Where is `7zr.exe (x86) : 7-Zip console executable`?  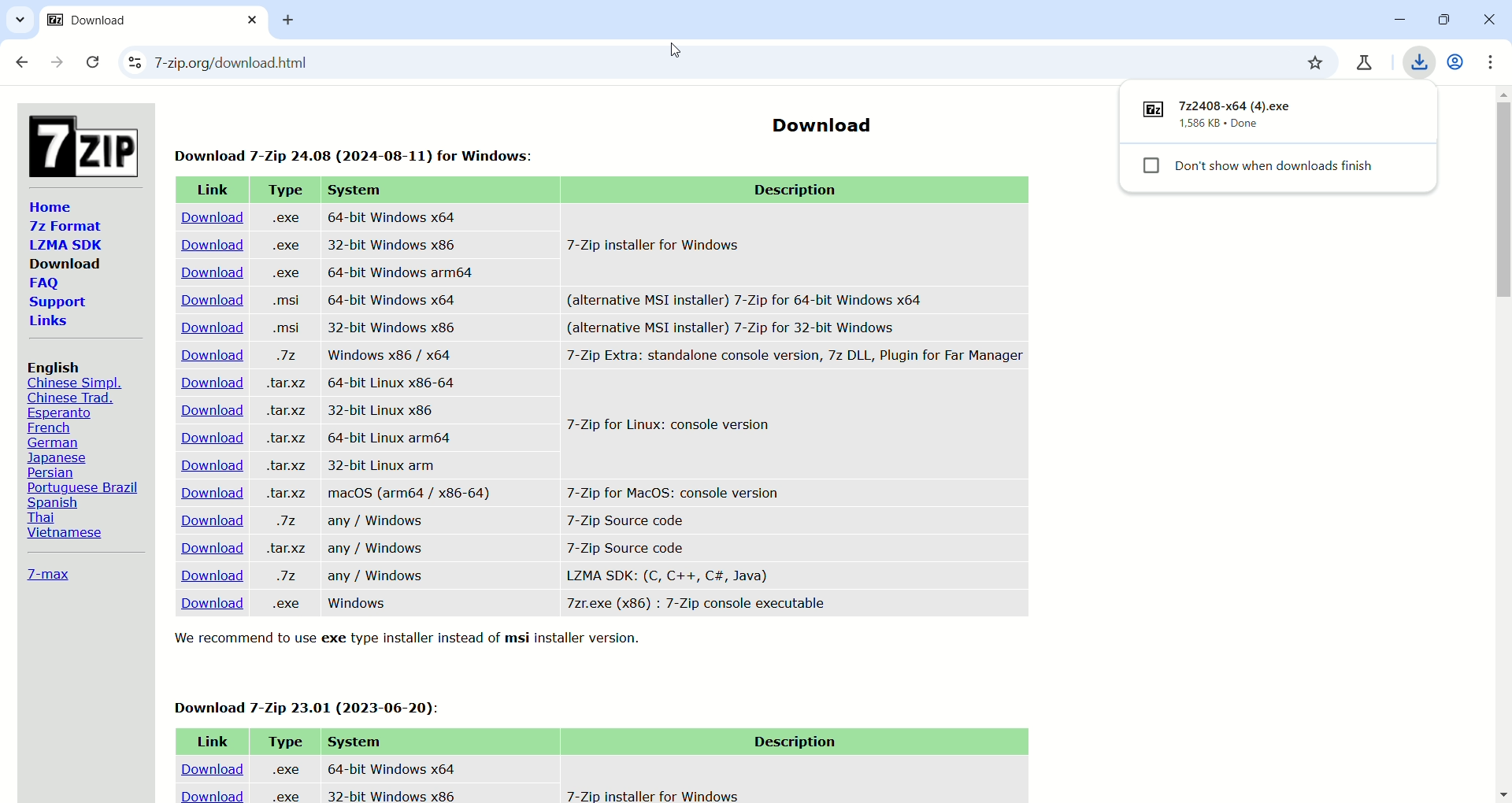
7zr.exe (x86) : 7-Zip console executable is located at coordinates (696, 604).